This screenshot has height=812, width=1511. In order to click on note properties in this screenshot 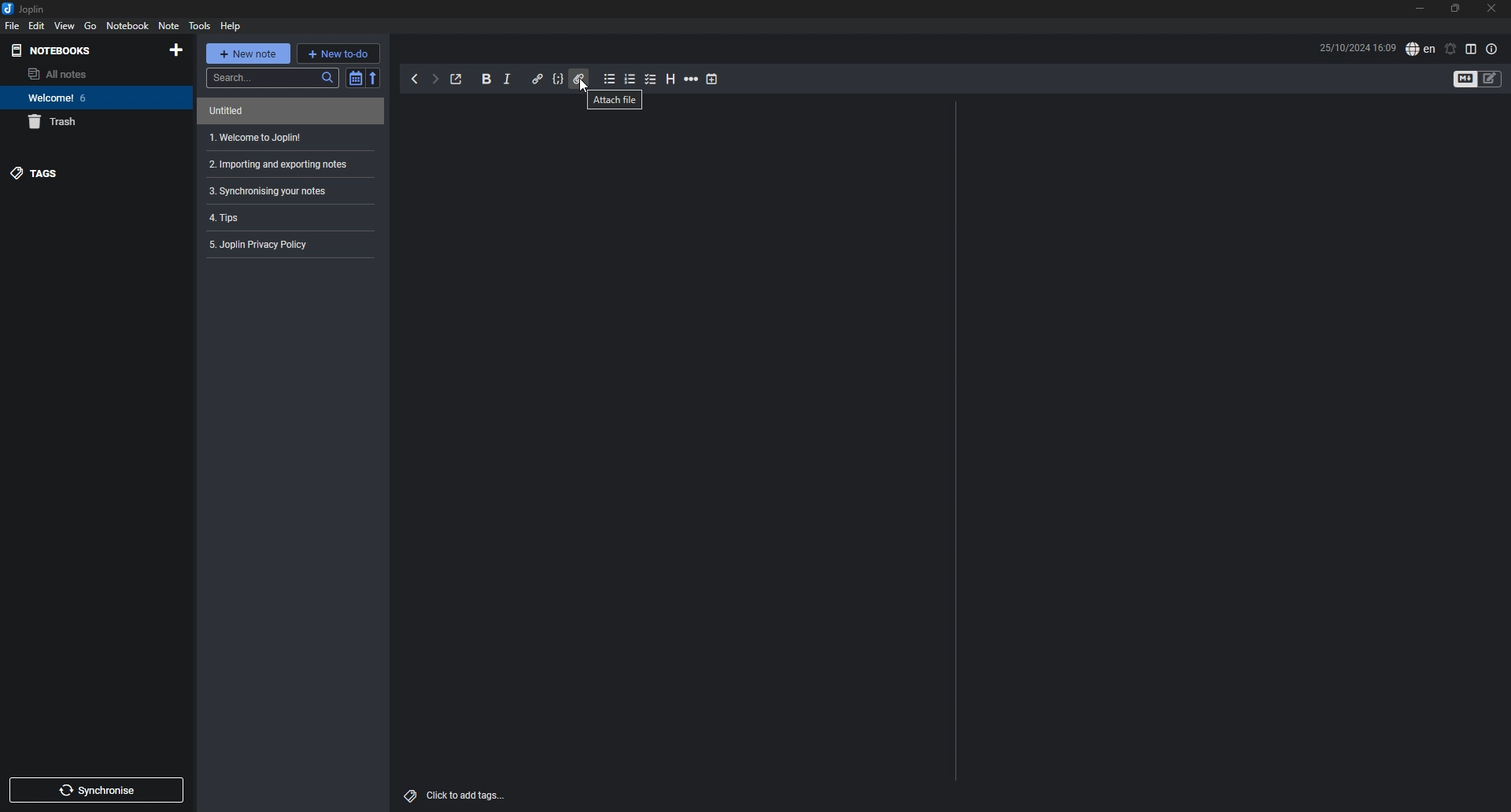, I will do `click(1491, 50)`.